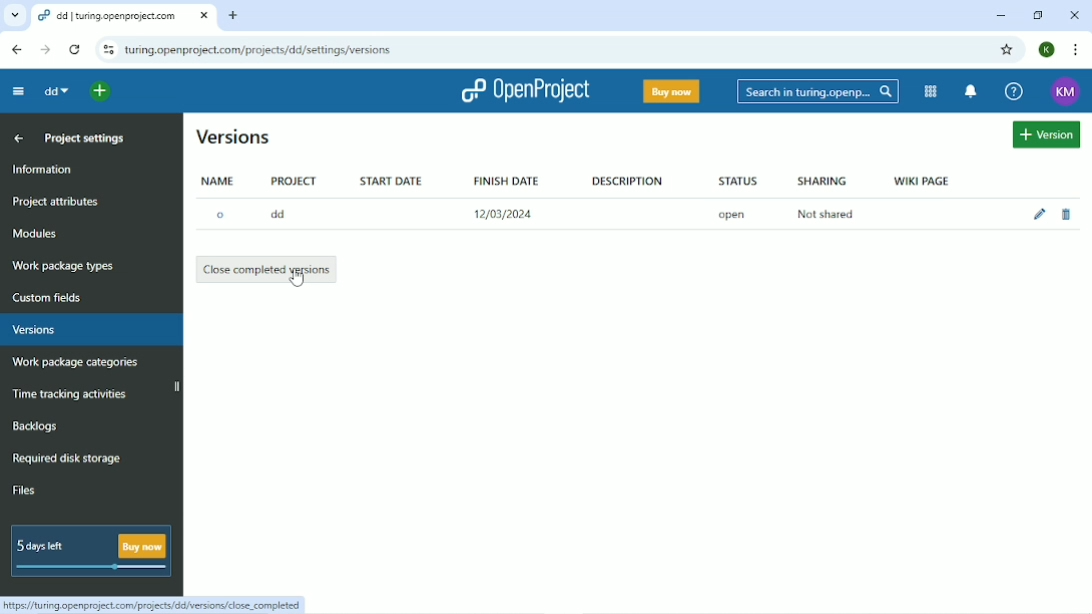 This screenshot has width=1092, height=614. Describe the element at coordinates (921, 180) in the screenshot. I see `Wiki page` at that location.